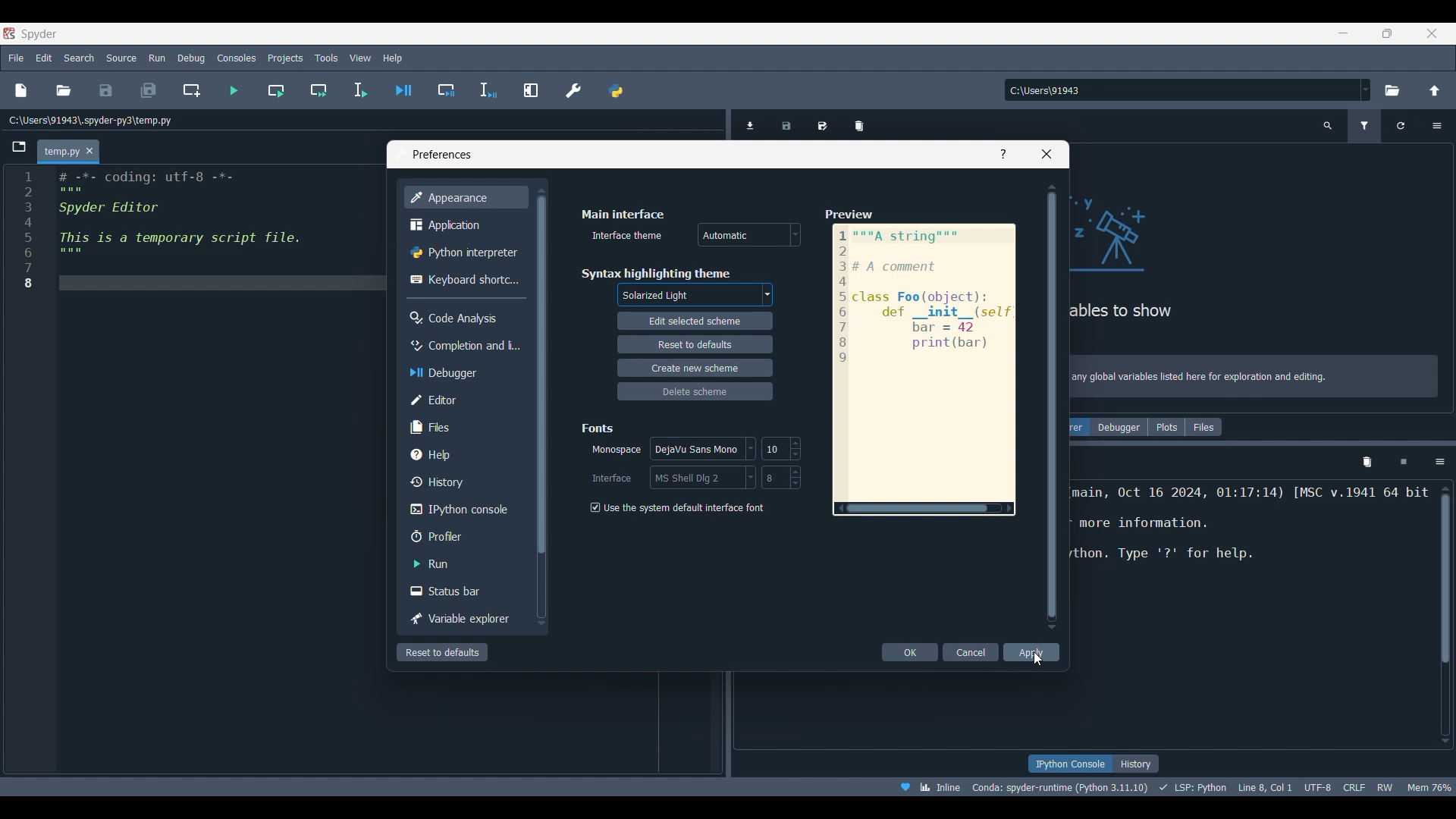 The height and width of the screenshot is (819, 1456). What do you see at coordinates (1445, 614) in the screenshot?
I see `Vertical slide bar` at bounding box center [1445, 614].